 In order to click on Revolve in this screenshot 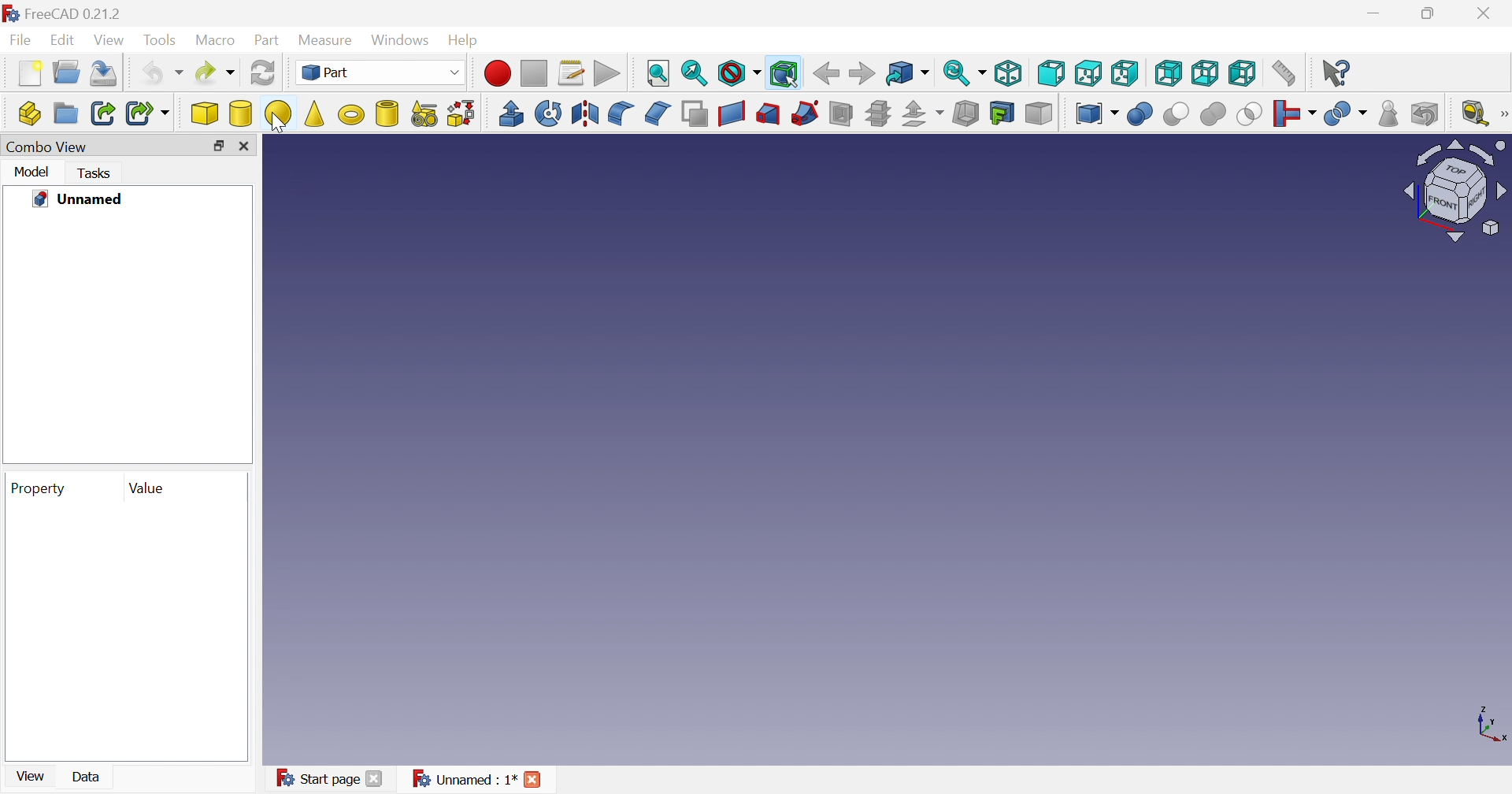, I will do `click(550, 111)`.